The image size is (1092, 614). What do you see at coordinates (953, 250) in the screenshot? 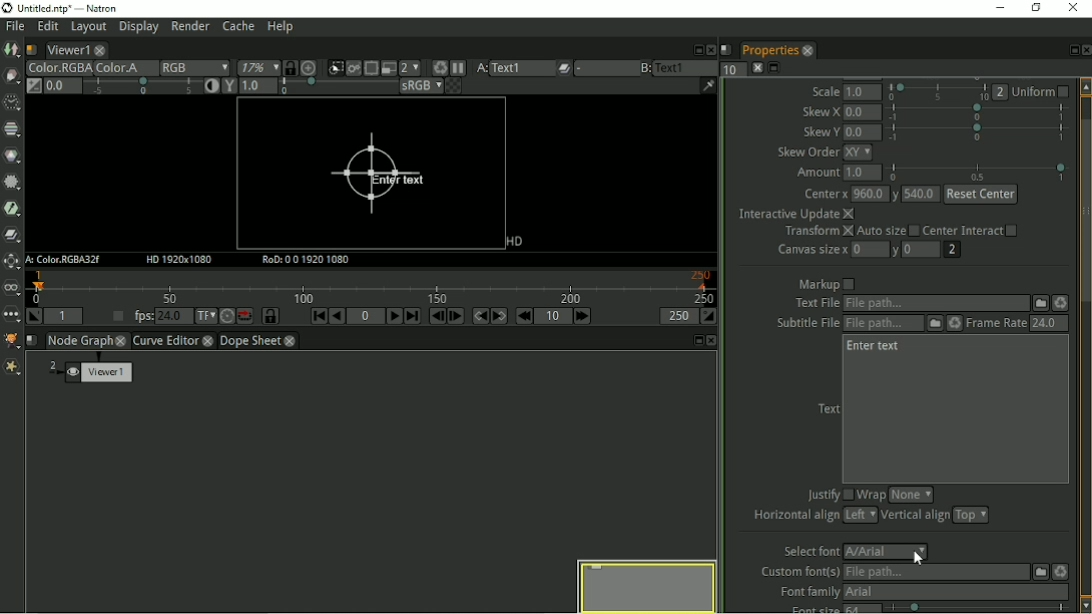
I see `2` at bounding box center [953, 250].